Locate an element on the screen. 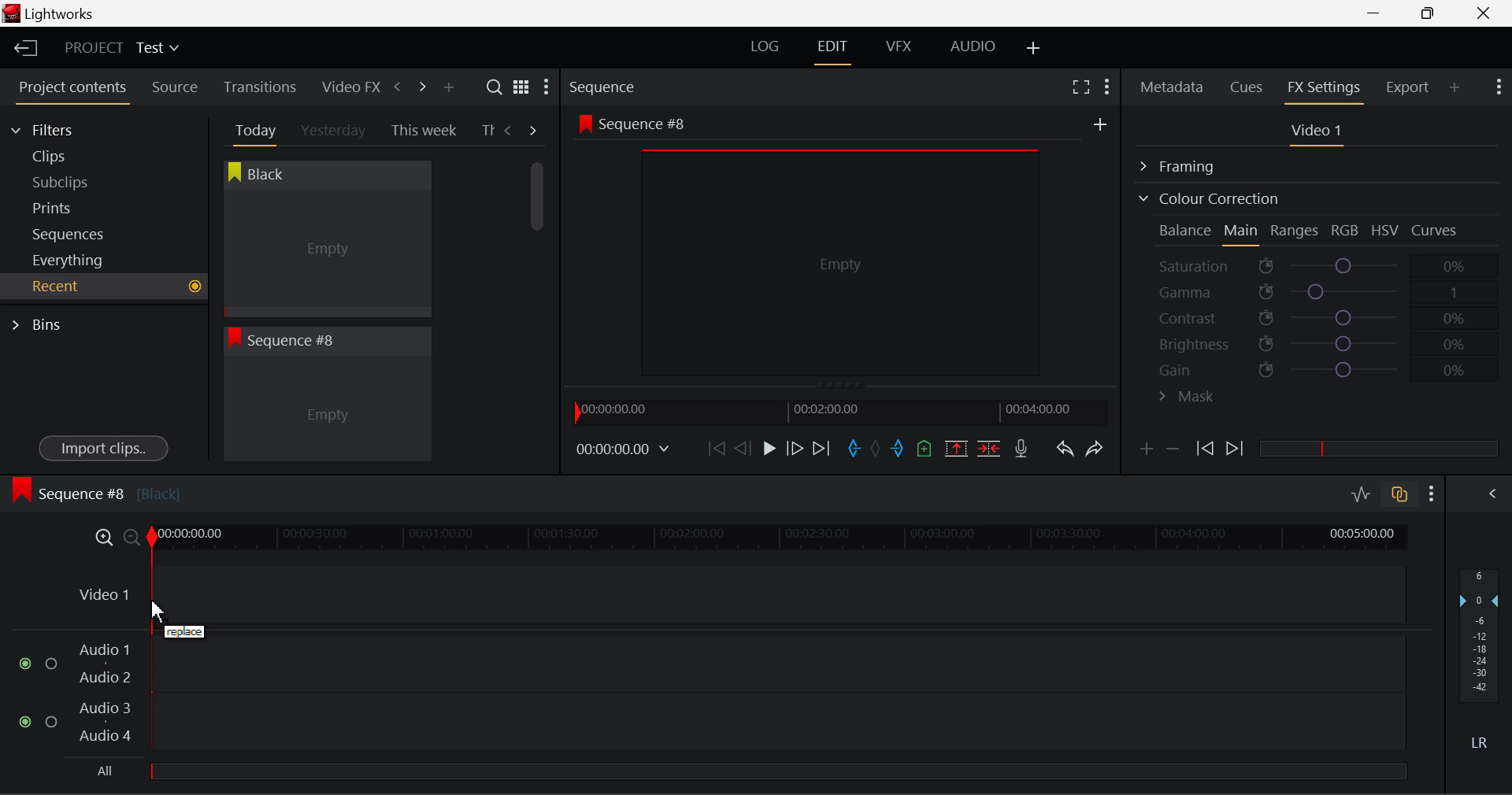  Project Timeline Navigator is located at coordinates (838, 412).